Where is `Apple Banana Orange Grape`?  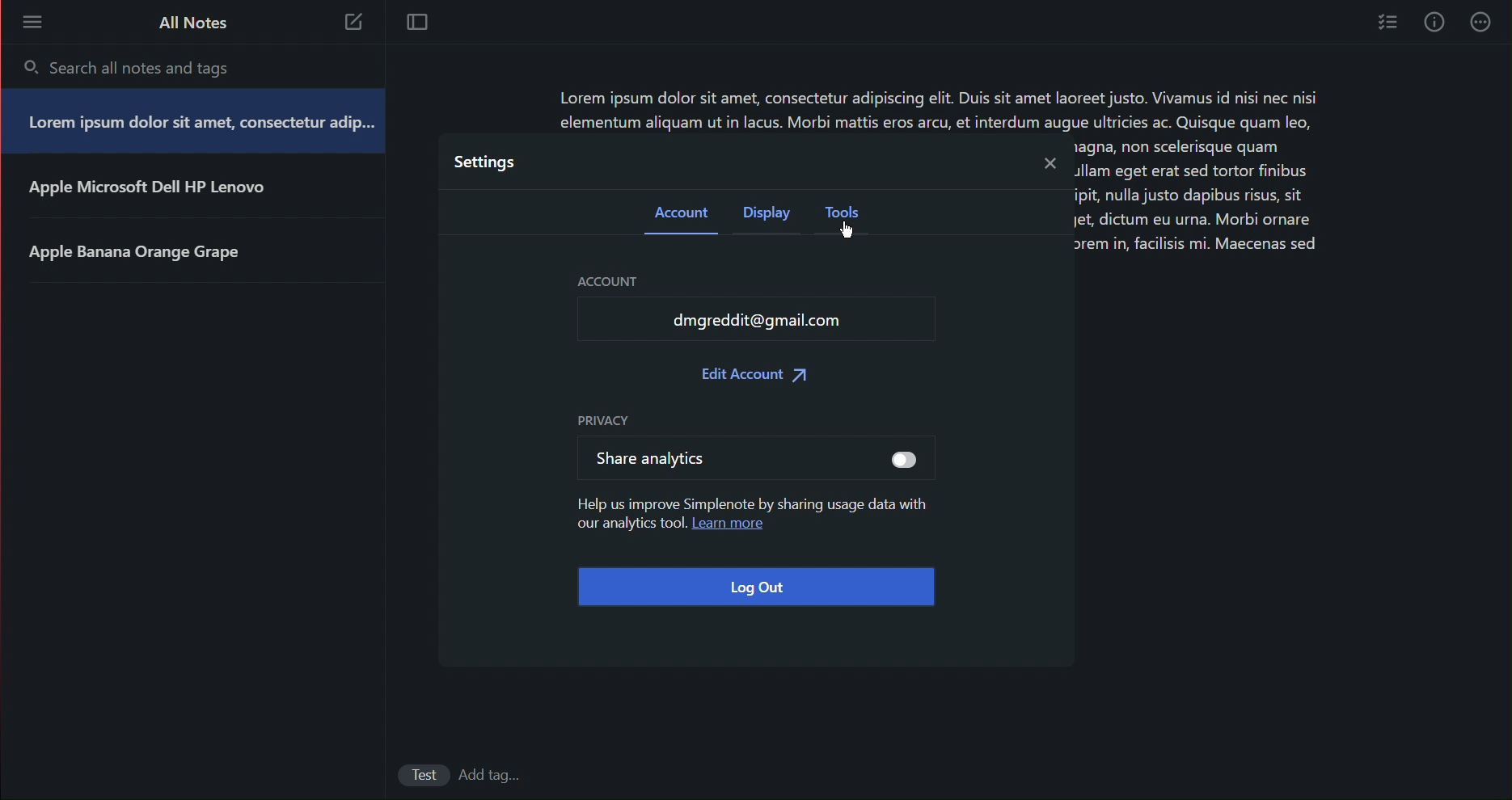 Apple Banana Orange Grape is located at coordinates (158, 259).